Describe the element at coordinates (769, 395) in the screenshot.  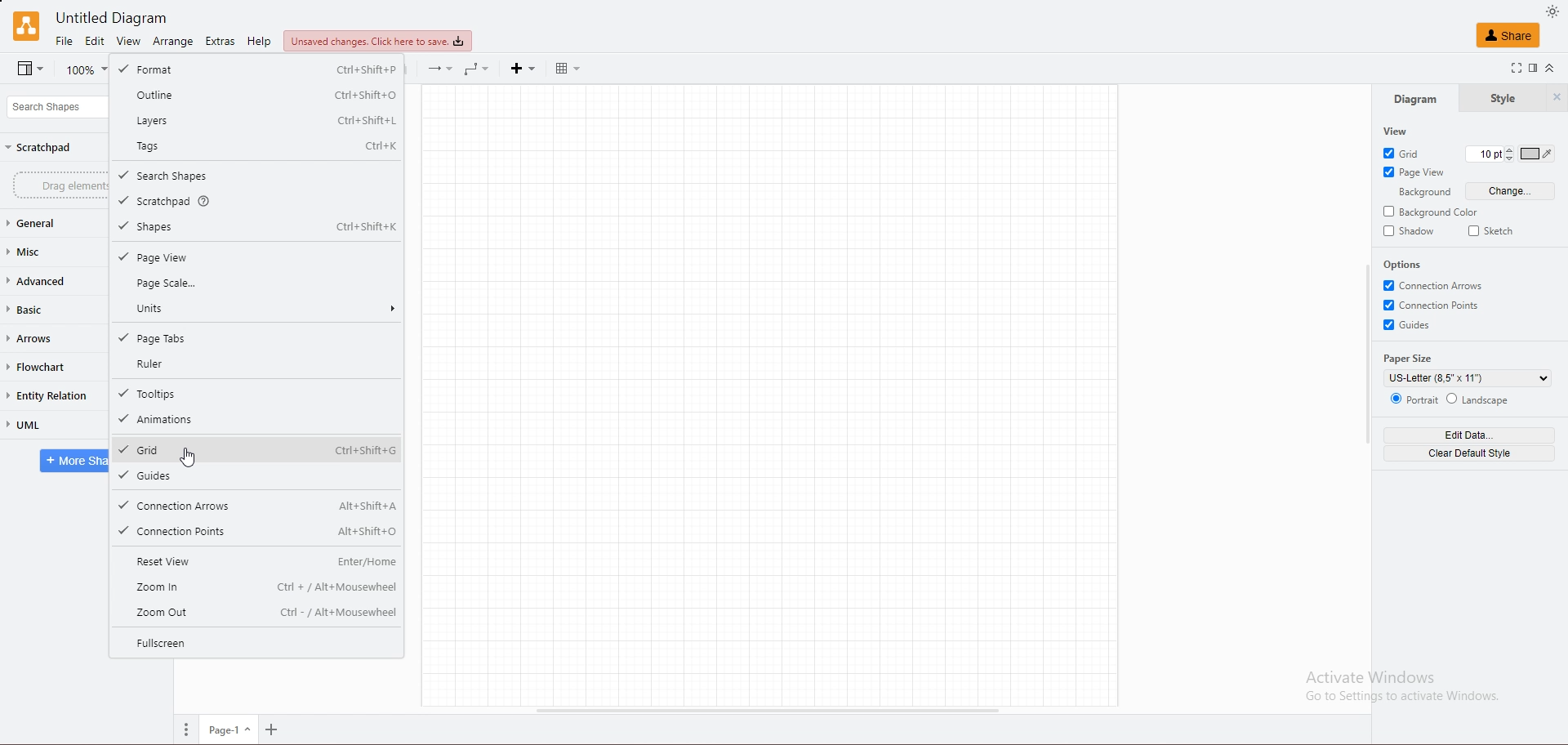
I see `draw area` at that location.